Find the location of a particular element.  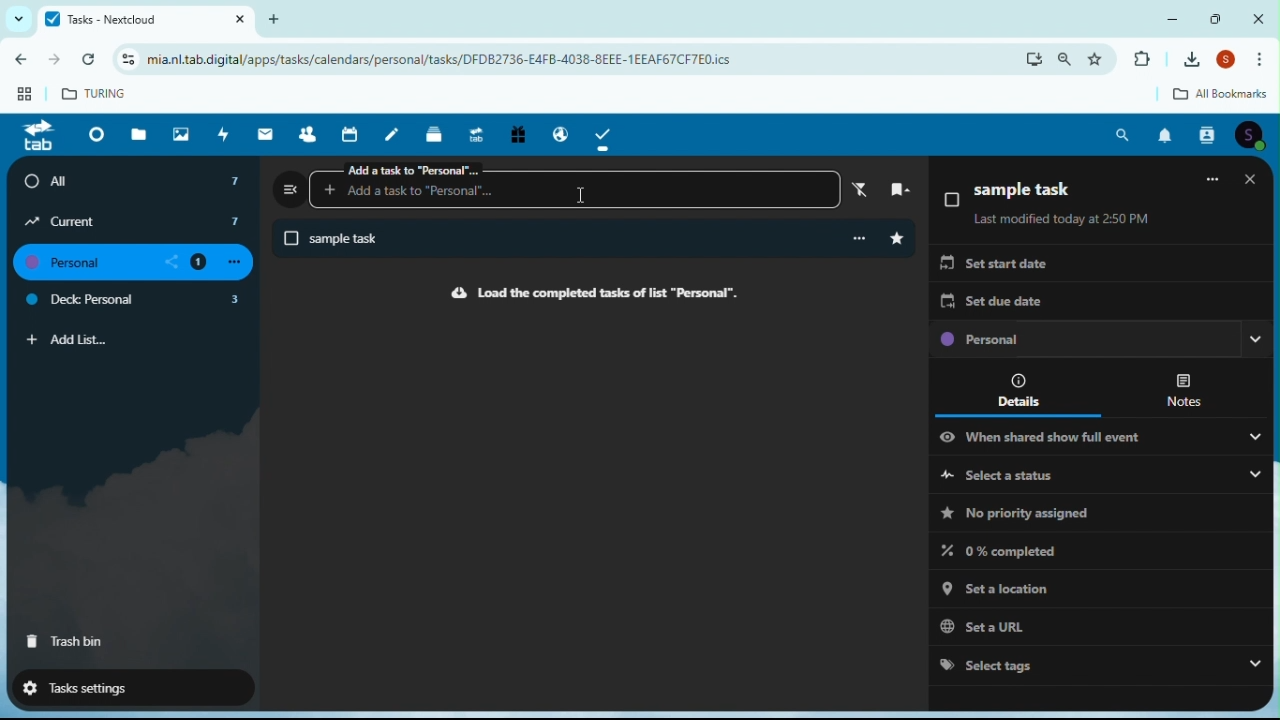

Upgrade is located at coordinates (475, 132).